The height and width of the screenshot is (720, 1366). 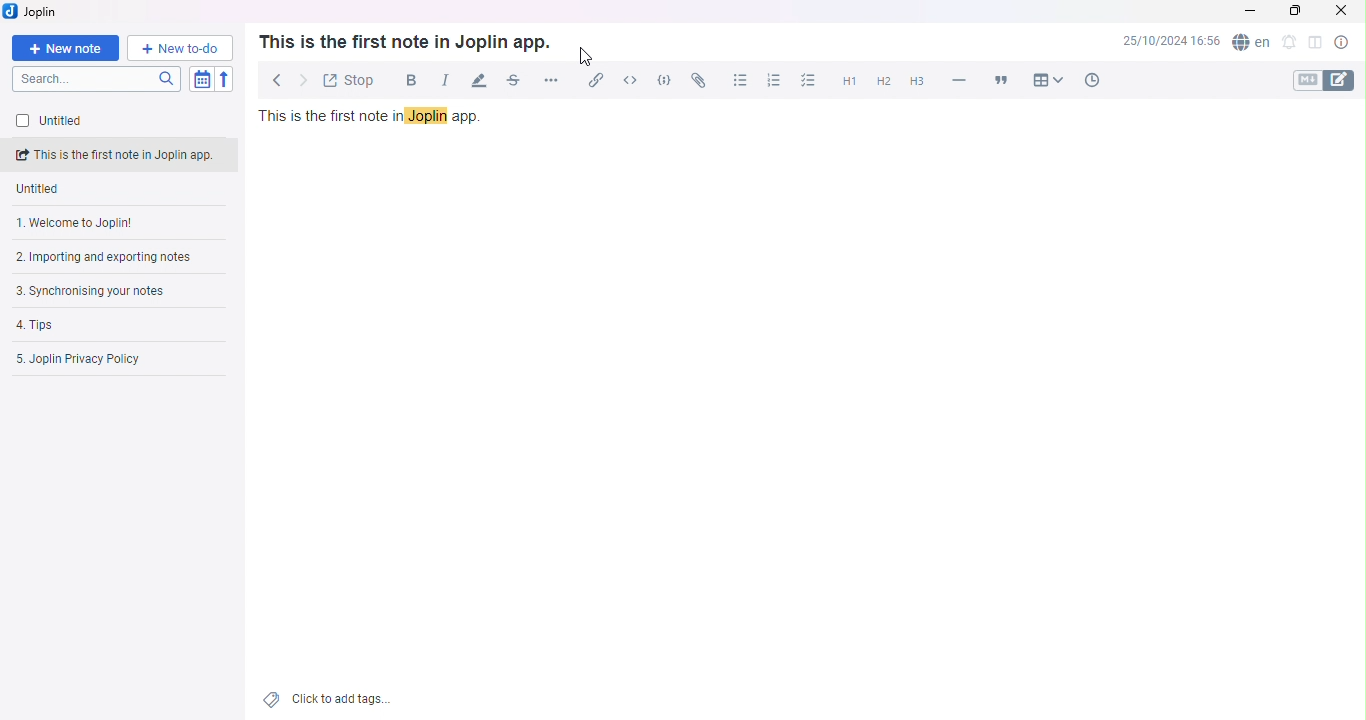 What do you see at coordinates (440, 80) in the screenshot?
I see `Italic` at bounding box center [440, 80].